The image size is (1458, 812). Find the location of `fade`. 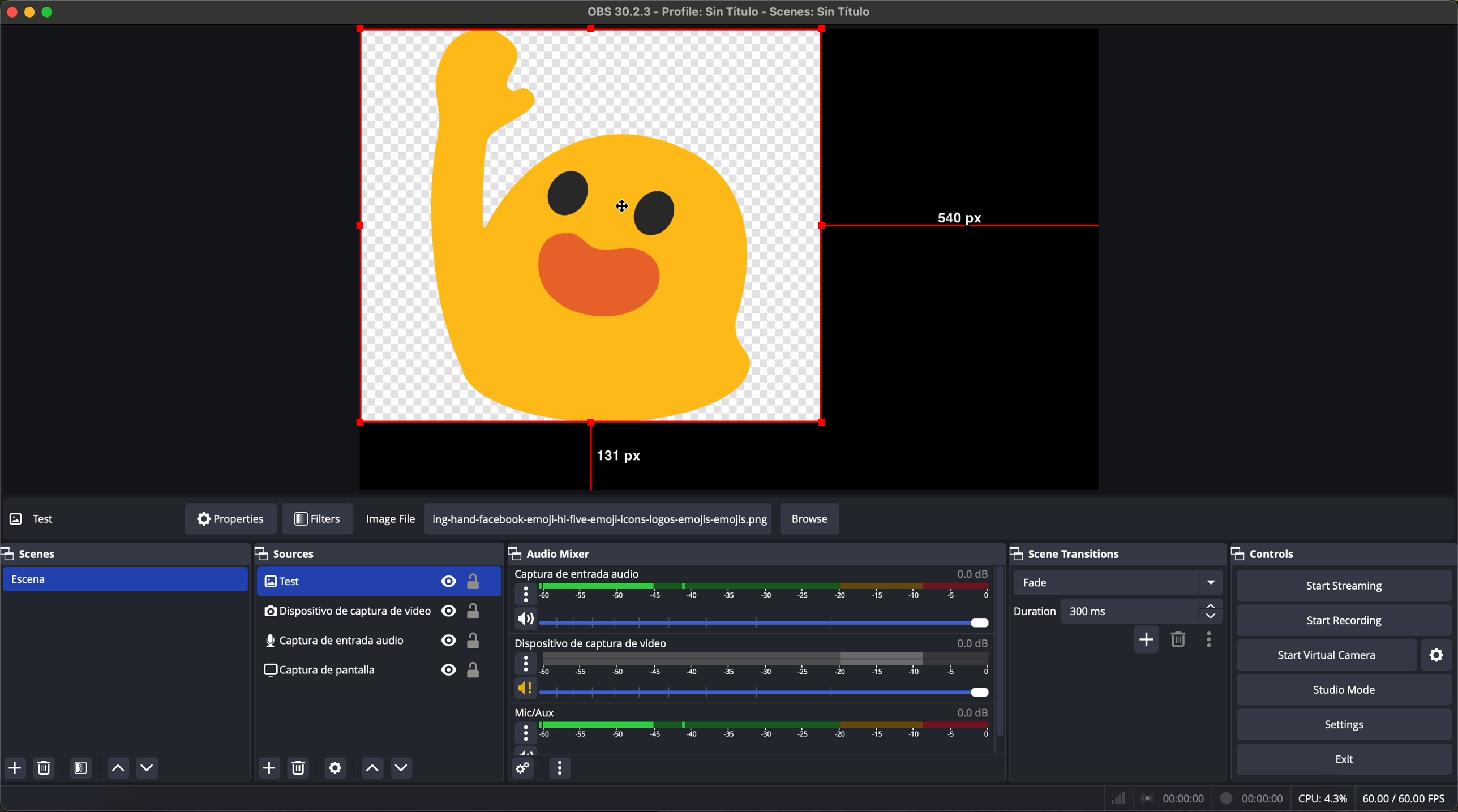

fade is located at coordinates (1116, 582).